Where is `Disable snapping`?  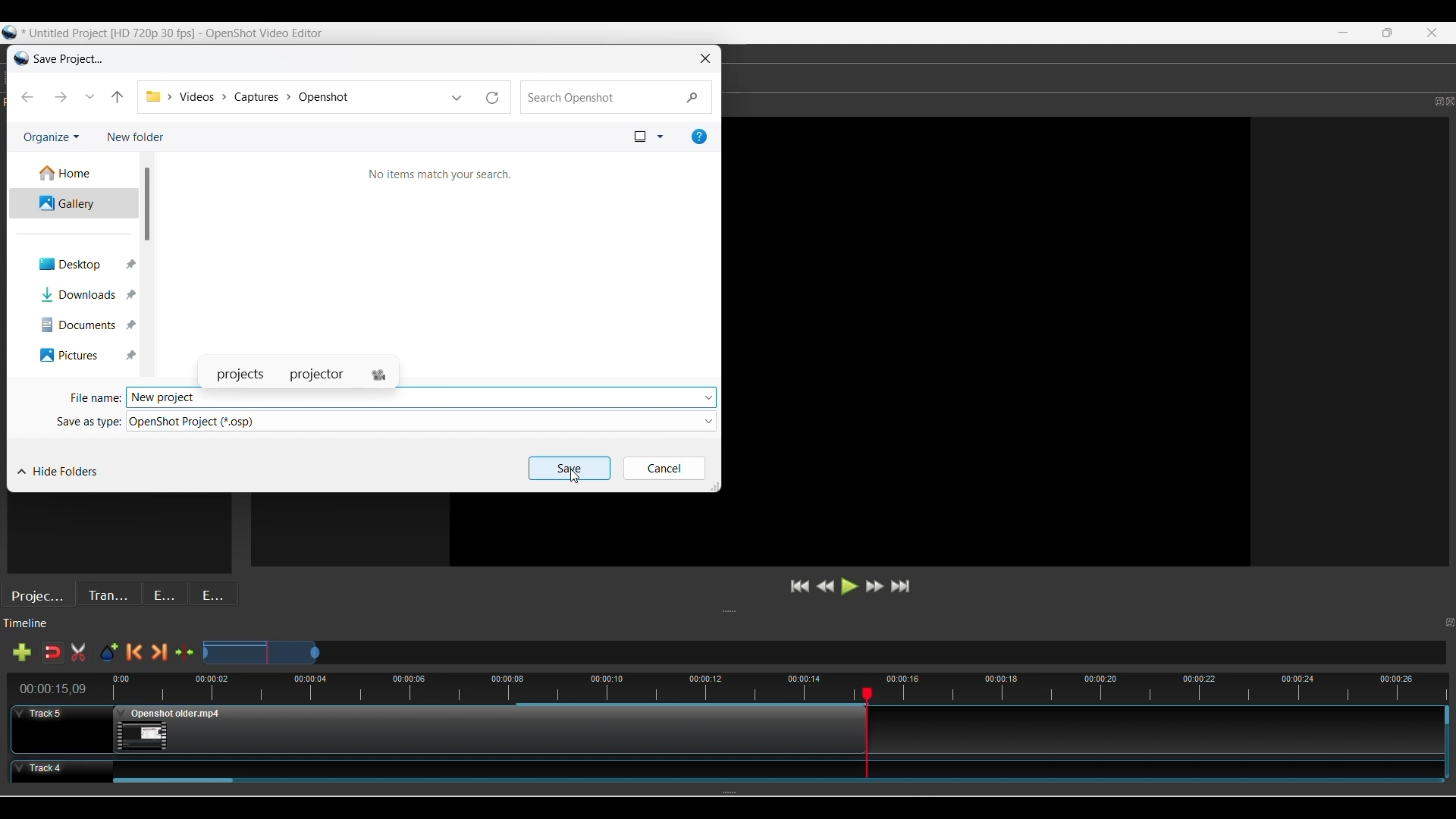
Disable snapping is located at coordinates (52, 652).